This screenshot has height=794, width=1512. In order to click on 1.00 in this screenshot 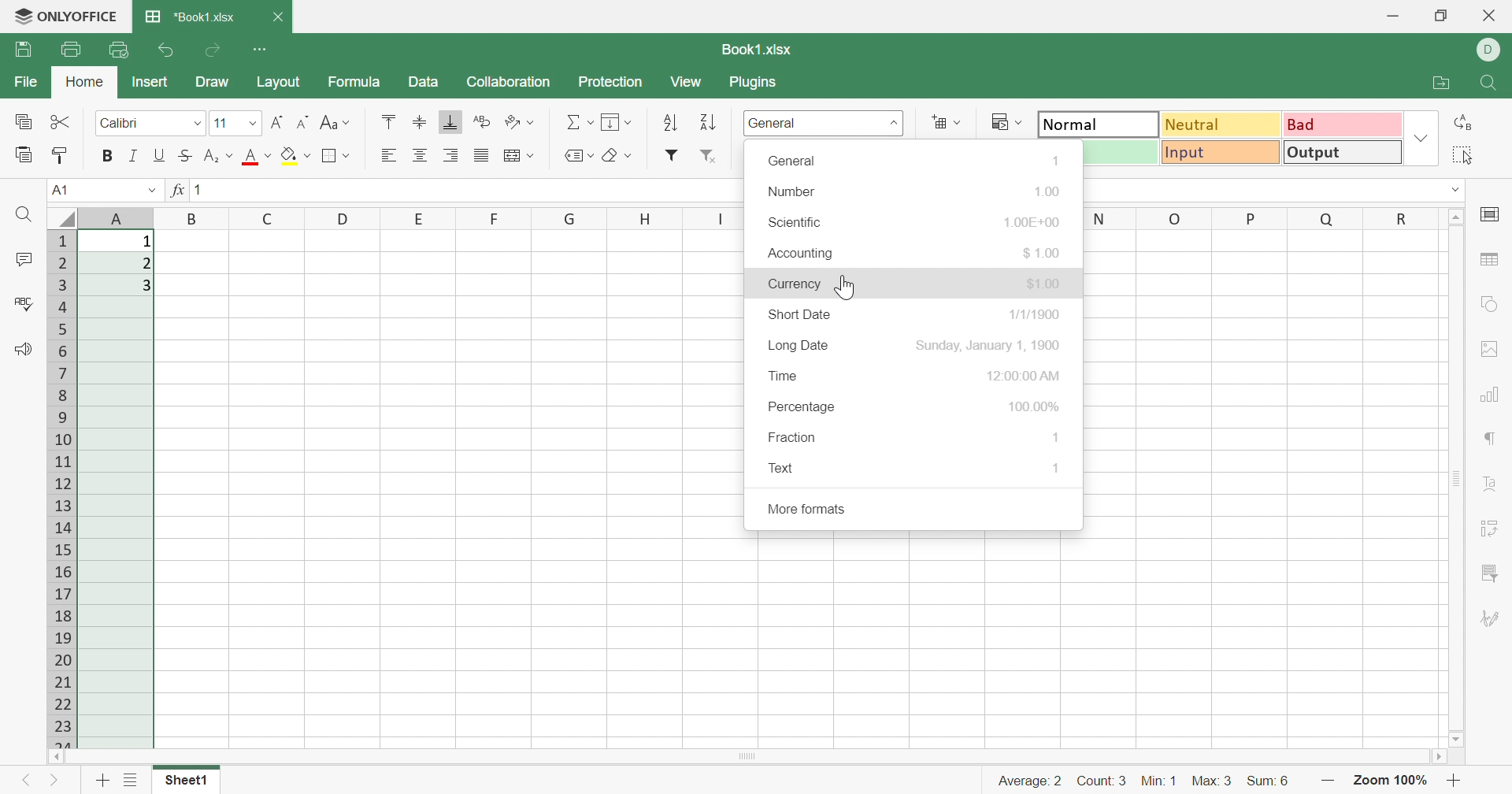, I will do `click(1049, 190)`.